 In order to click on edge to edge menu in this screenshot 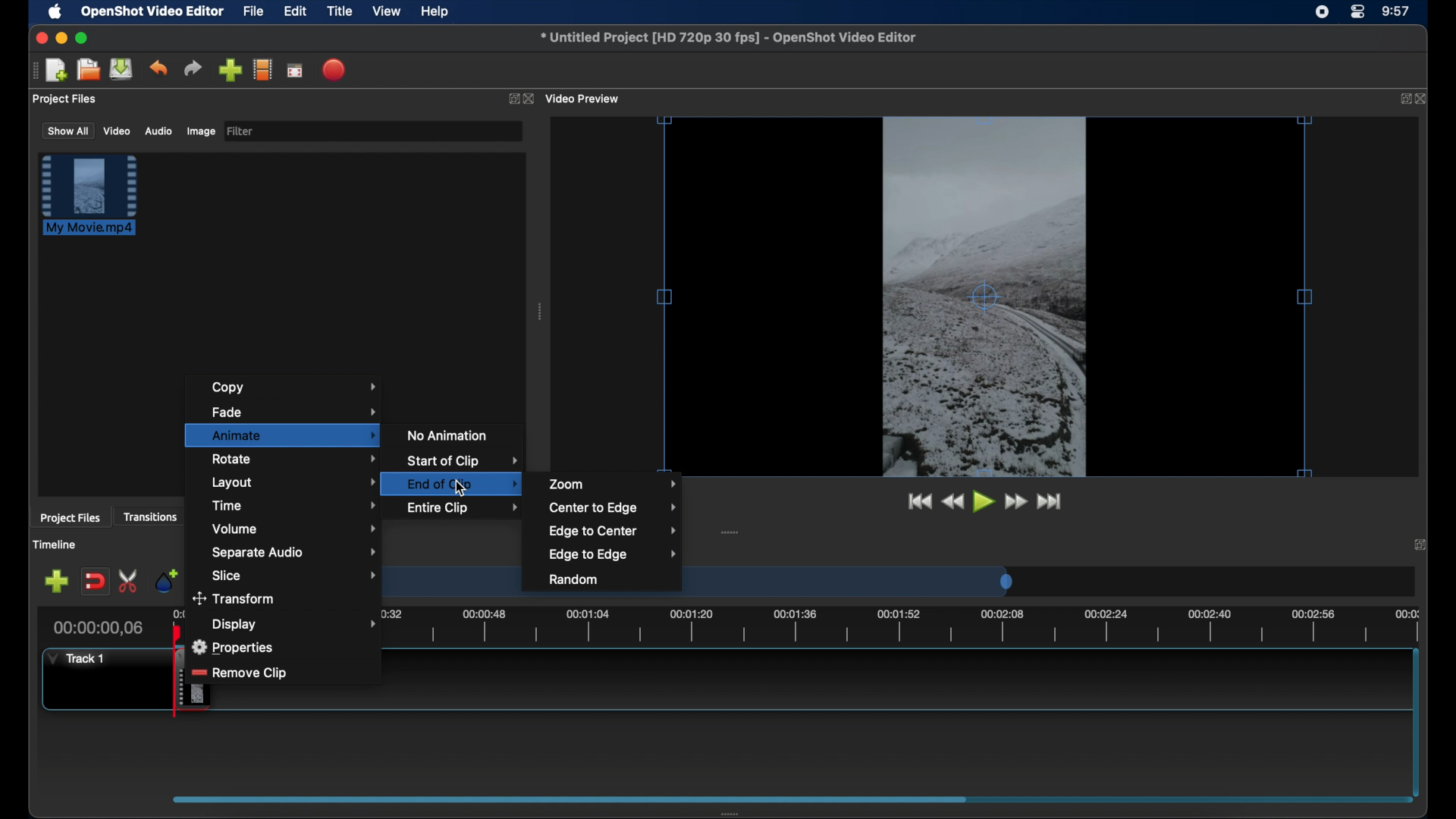, I will do `click(613, 555)`.